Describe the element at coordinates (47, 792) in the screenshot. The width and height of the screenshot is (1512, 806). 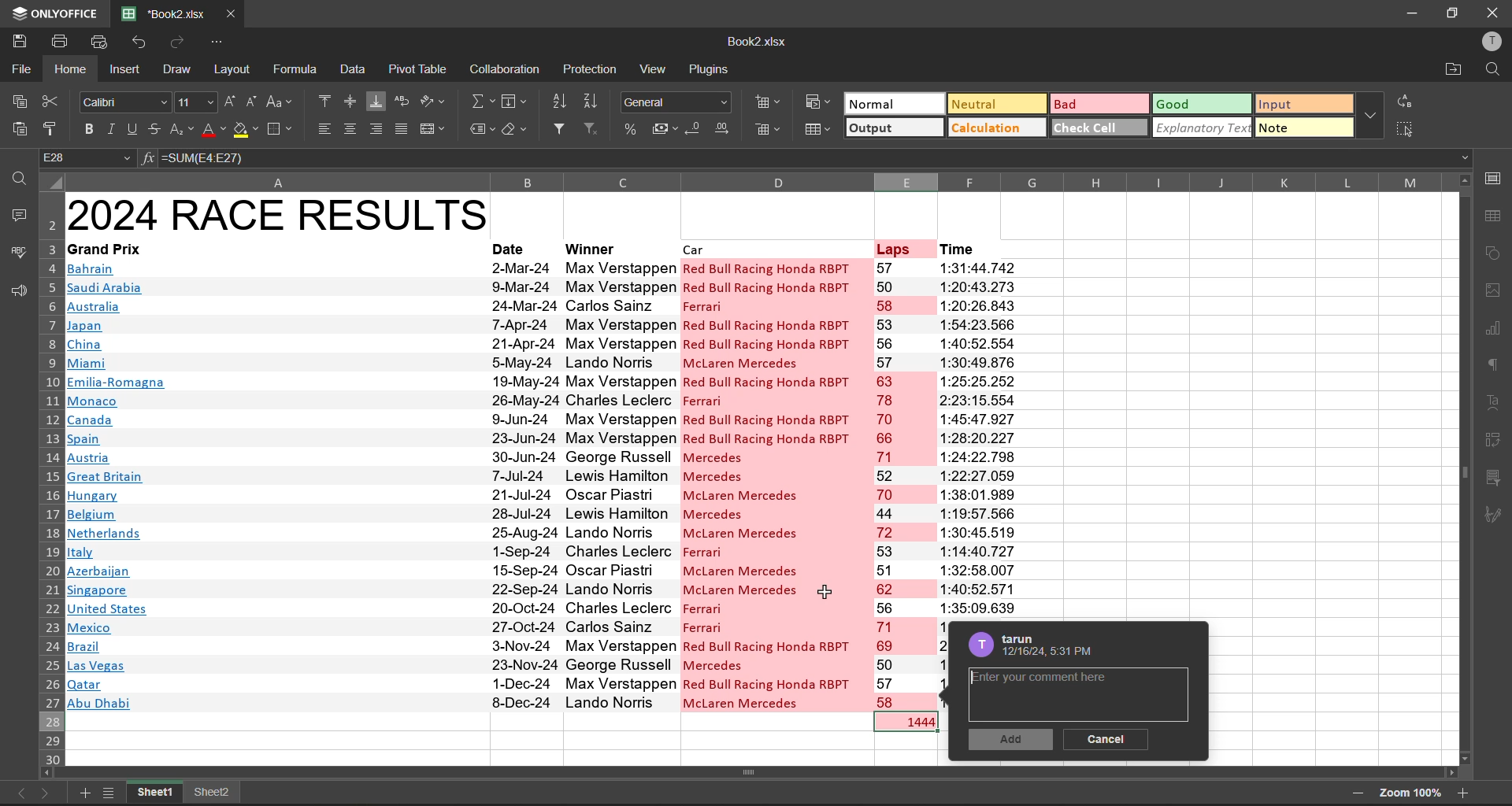
I see `next` at that location.